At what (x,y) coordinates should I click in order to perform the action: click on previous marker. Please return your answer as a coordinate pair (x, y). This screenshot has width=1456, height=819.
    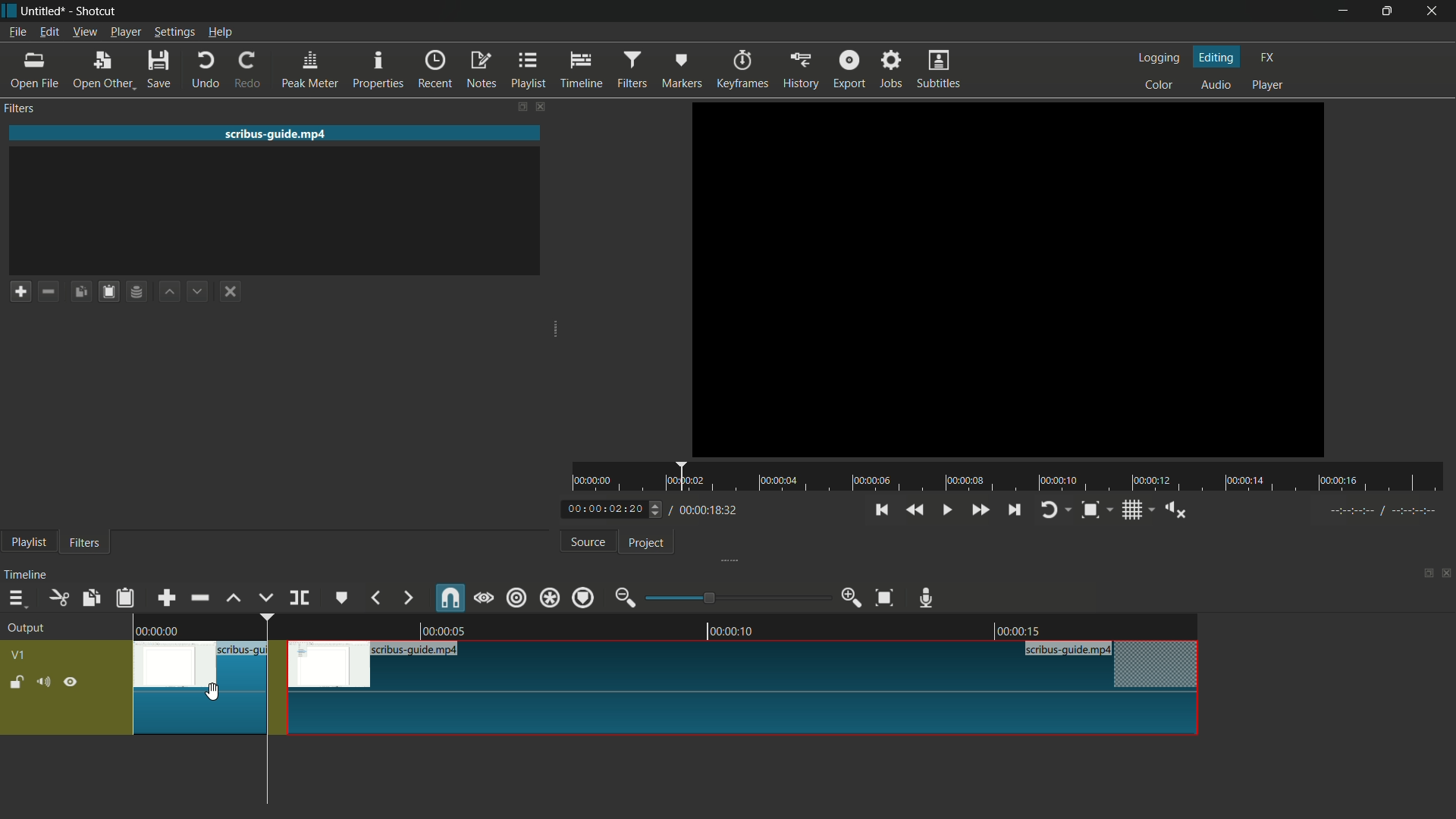
    Looking at the image, I should click on (376, 597).